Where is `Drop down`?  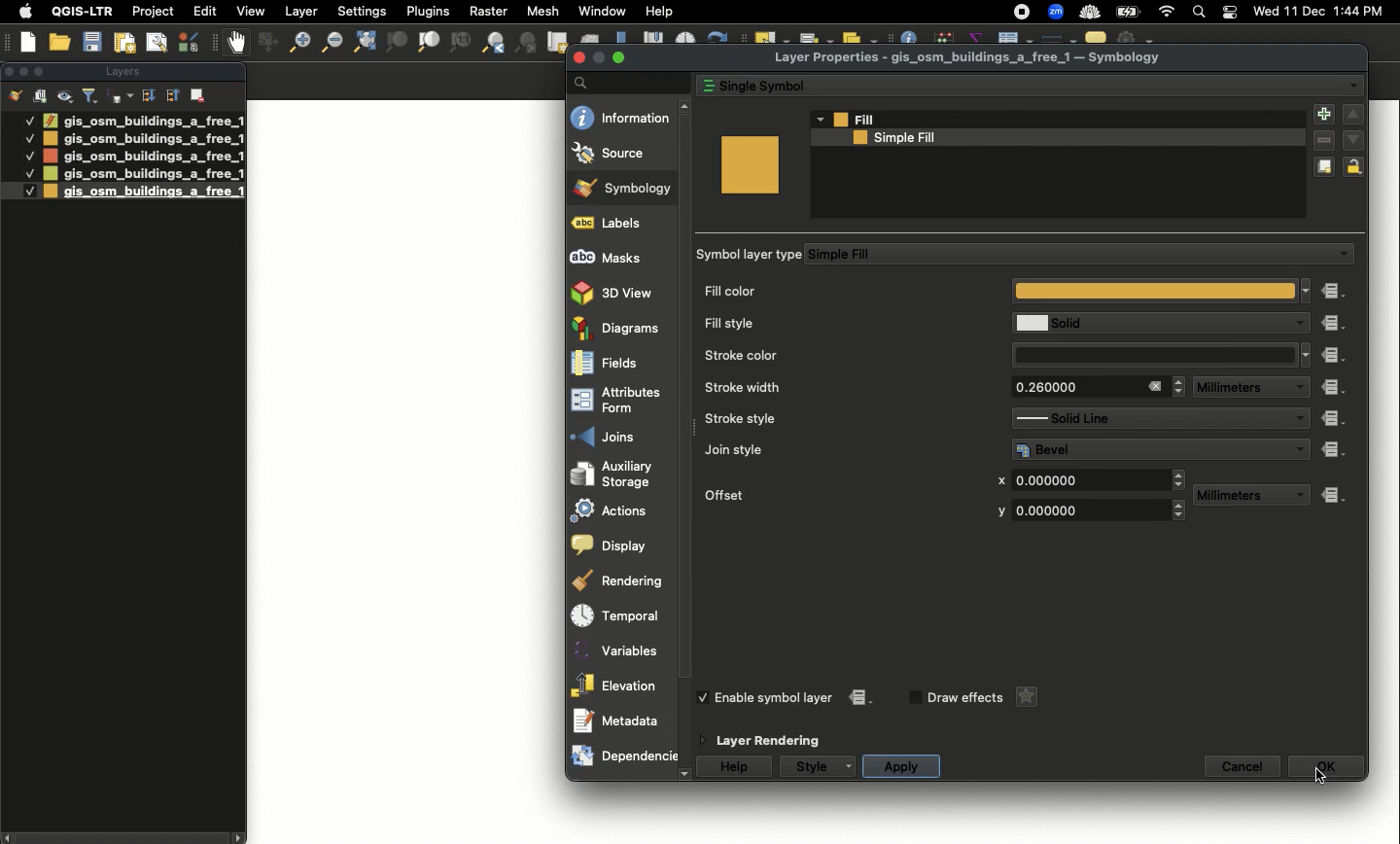 Drop down is located at coordinates (1179, 386).